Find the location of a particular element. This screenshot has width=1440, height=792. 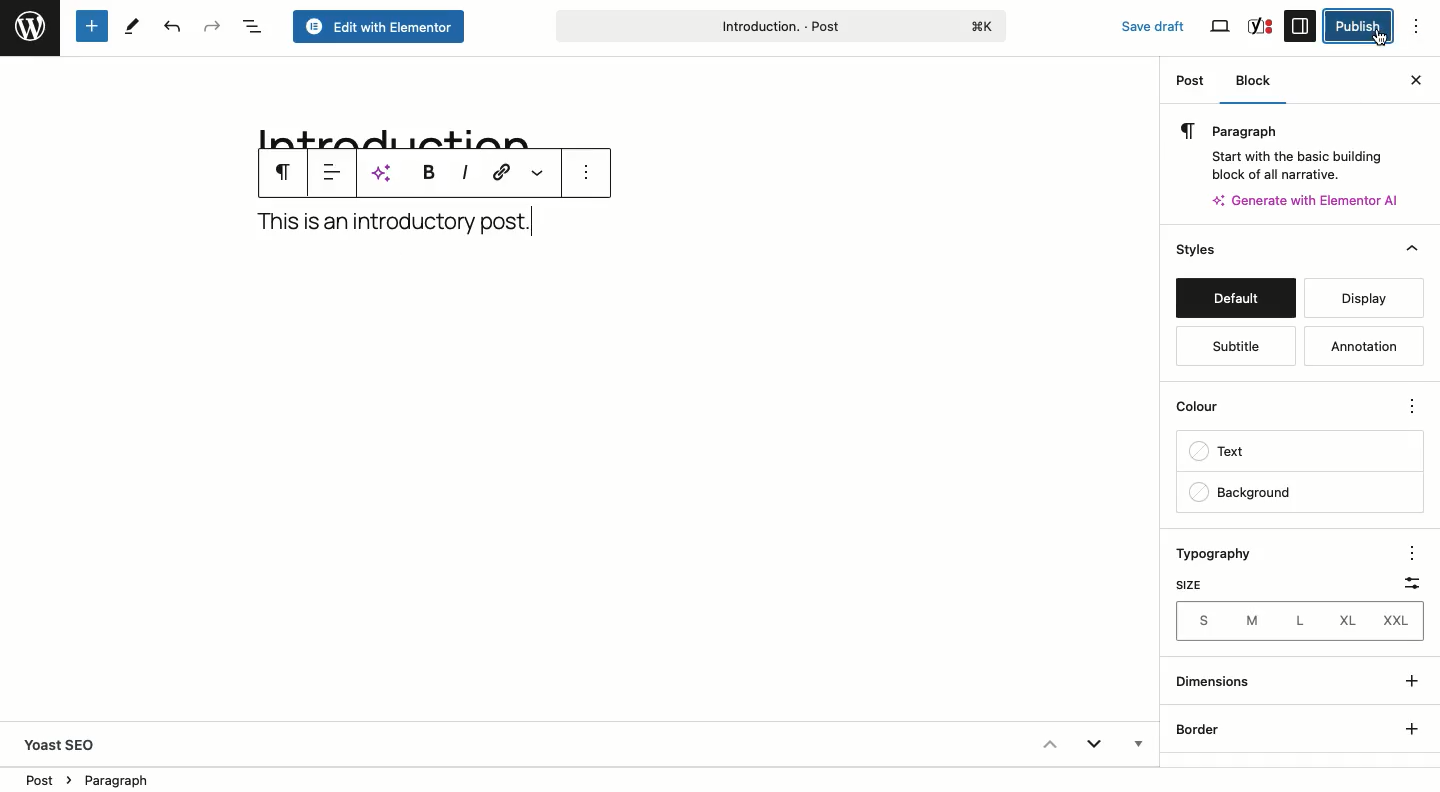

Collapse is located at coordinates (1412, 249).